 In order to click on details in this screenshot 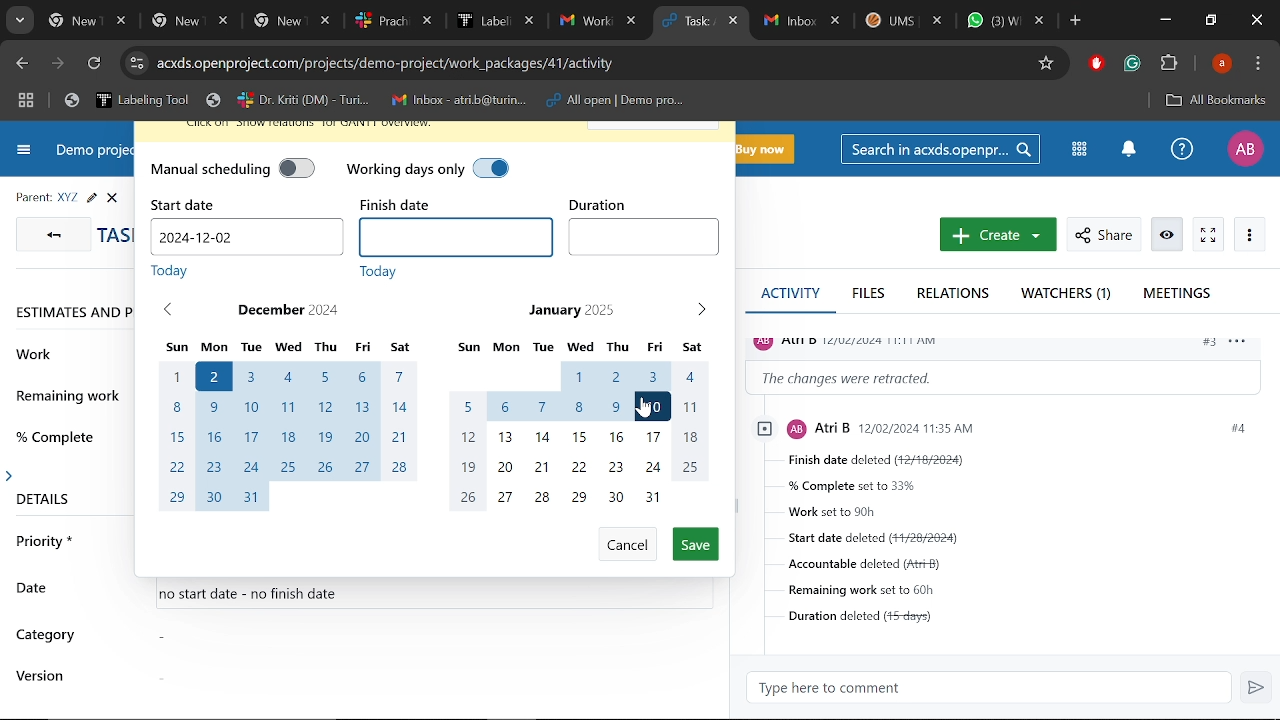, I will do `click(39, 494)`.